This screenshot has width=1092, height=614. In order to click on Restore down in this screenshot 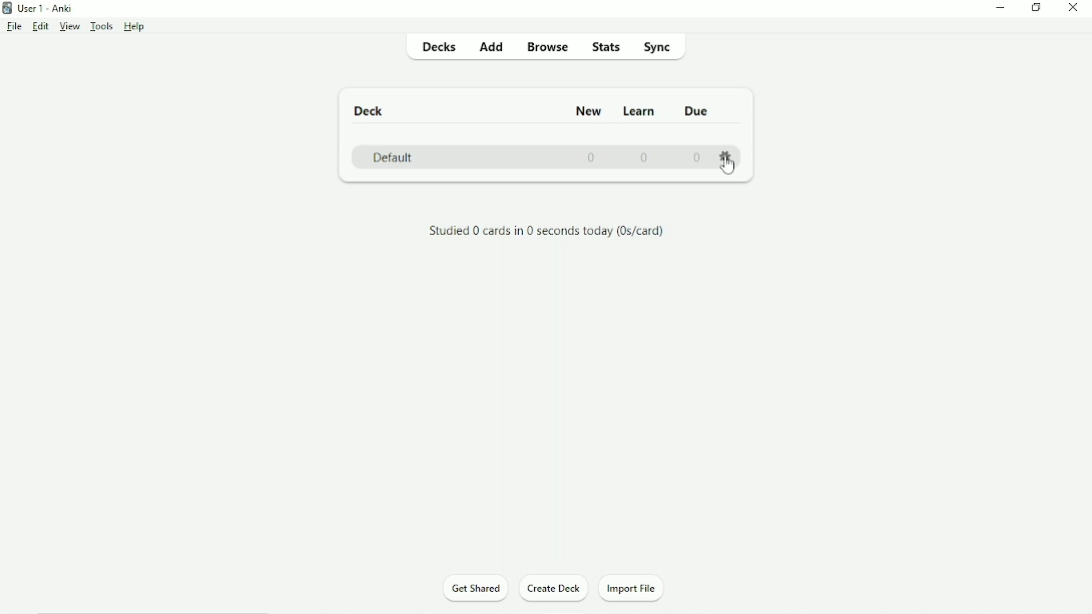, I will do `click(1036, 8)`.